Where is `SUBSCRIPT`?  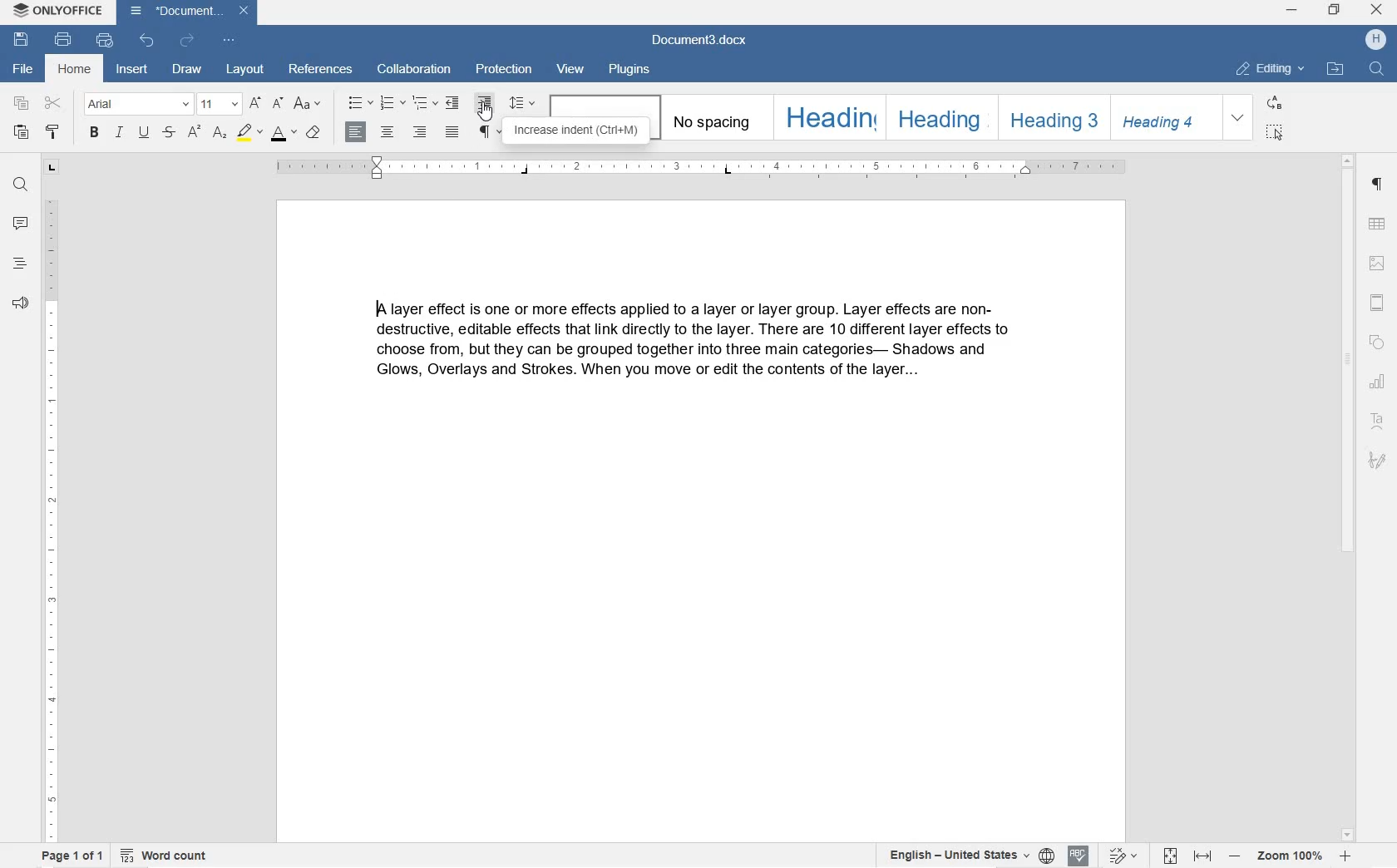 SUBSCRIPT is located at coordinates (194, 135).